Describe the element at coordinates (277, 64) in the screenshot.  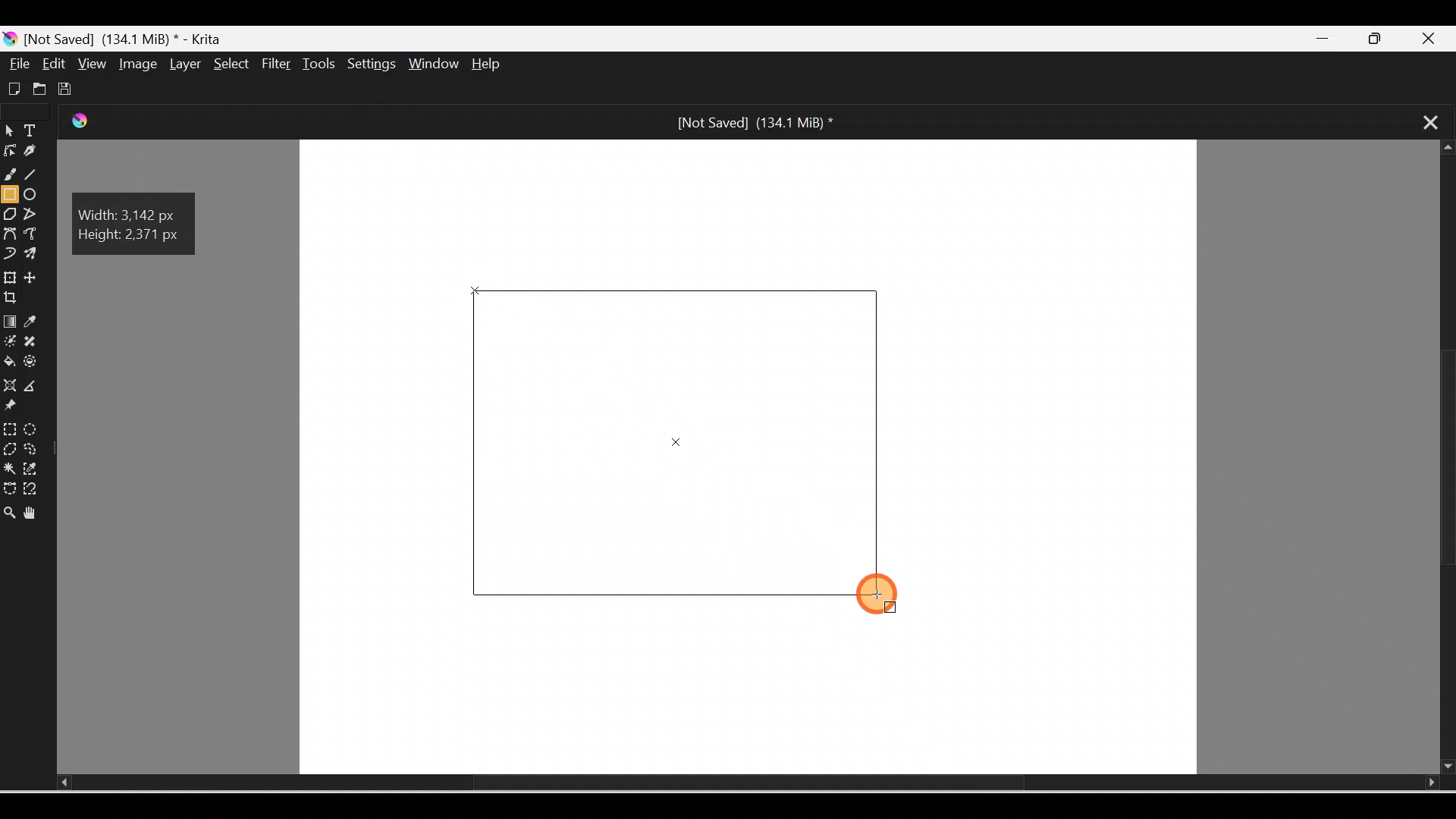
I see `Filter` at that location.